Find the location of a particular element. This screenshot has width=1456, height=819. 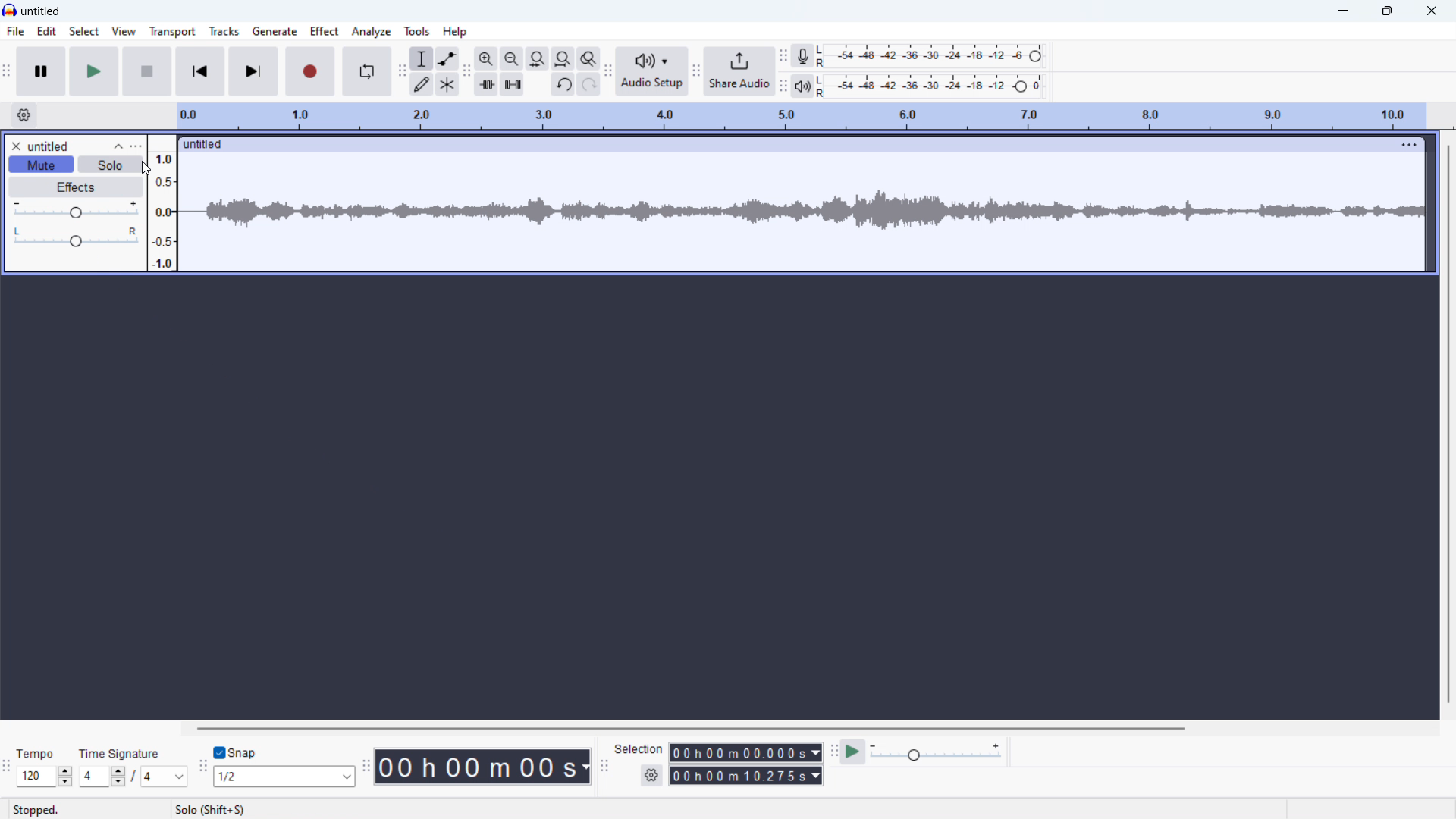

effects is located at coordinates (75, 187).